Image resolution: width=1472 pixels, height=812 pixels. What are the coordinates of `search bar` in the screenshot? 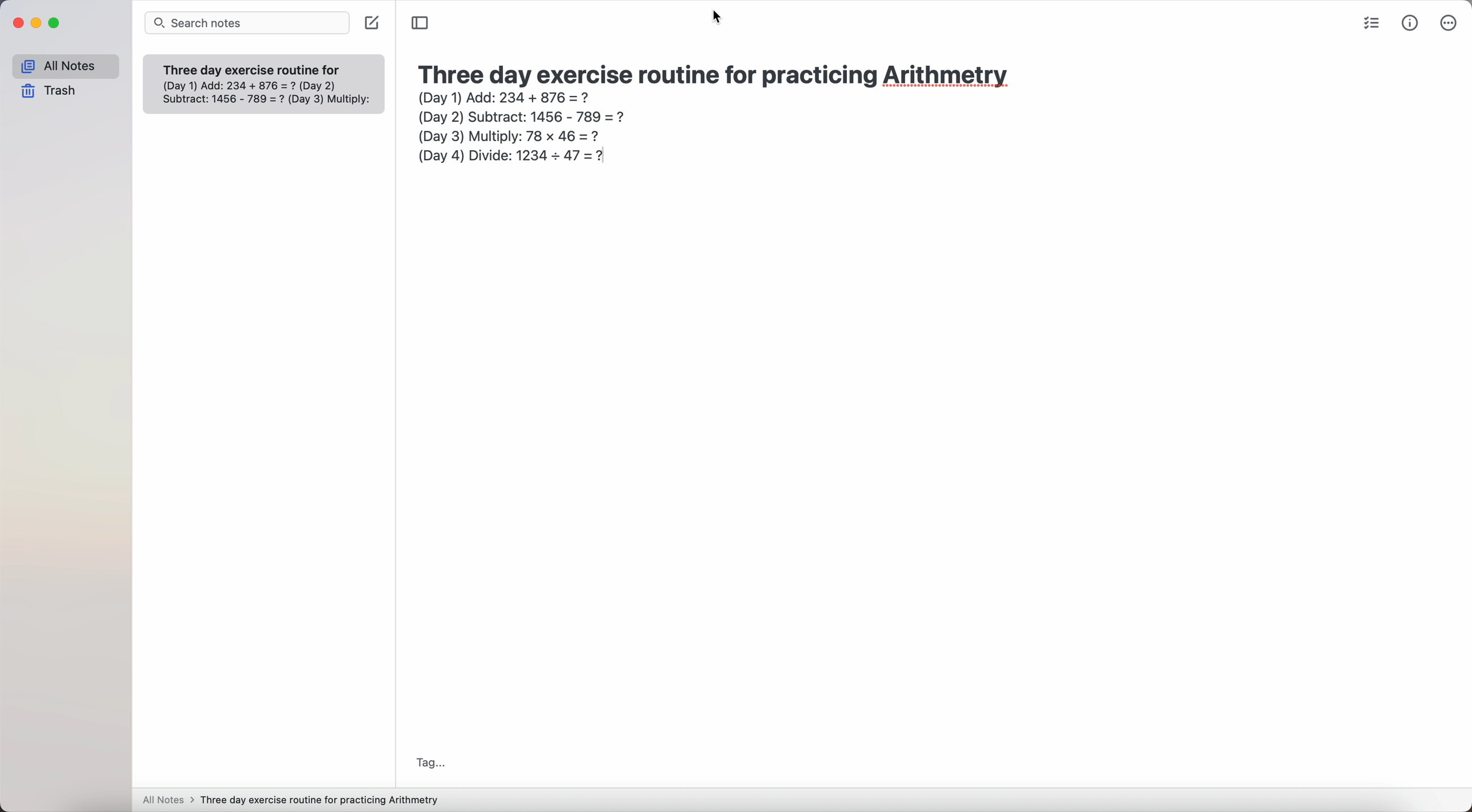 It's located at (246, 22).